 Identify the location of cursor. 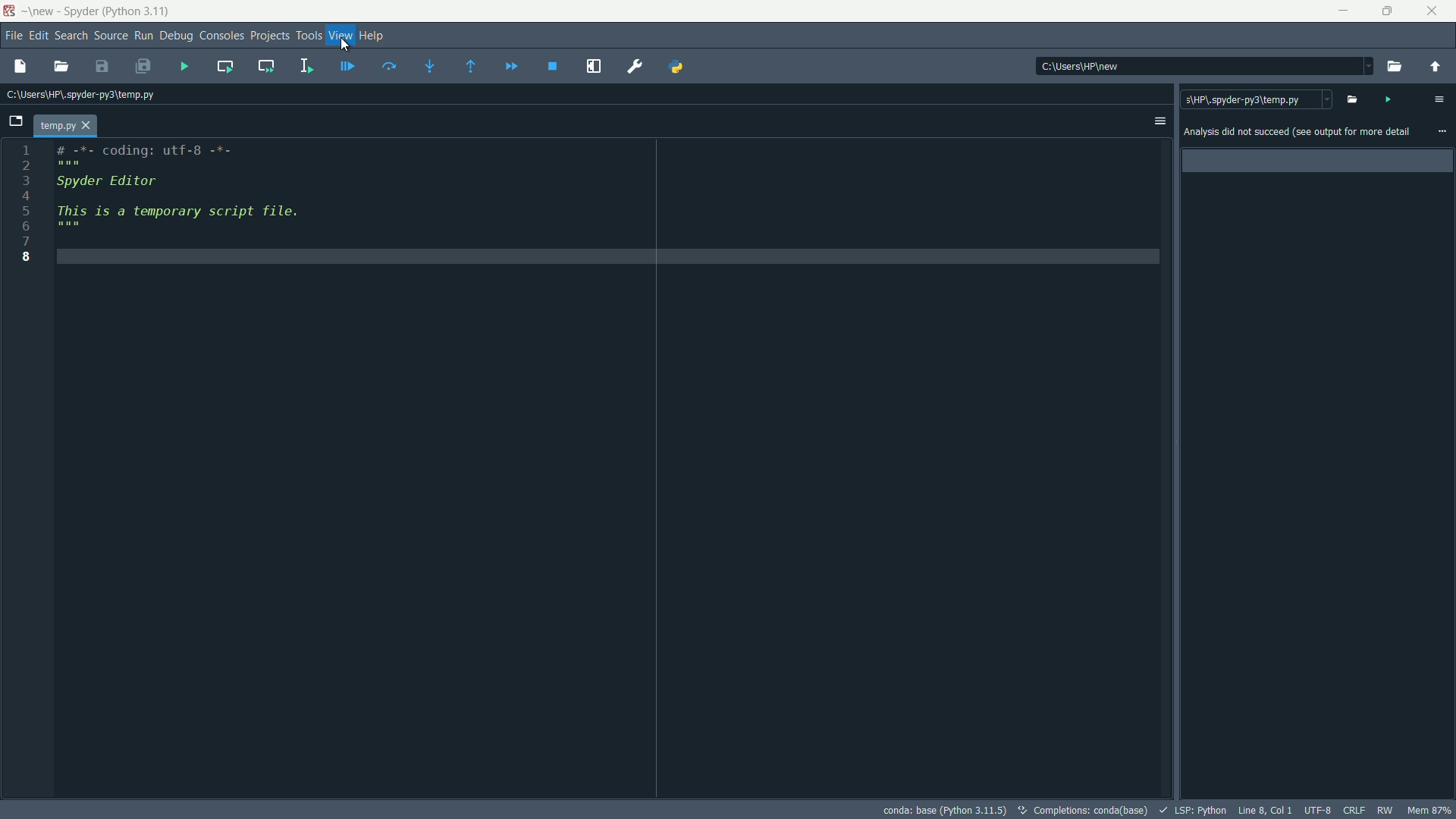
(345, 45).